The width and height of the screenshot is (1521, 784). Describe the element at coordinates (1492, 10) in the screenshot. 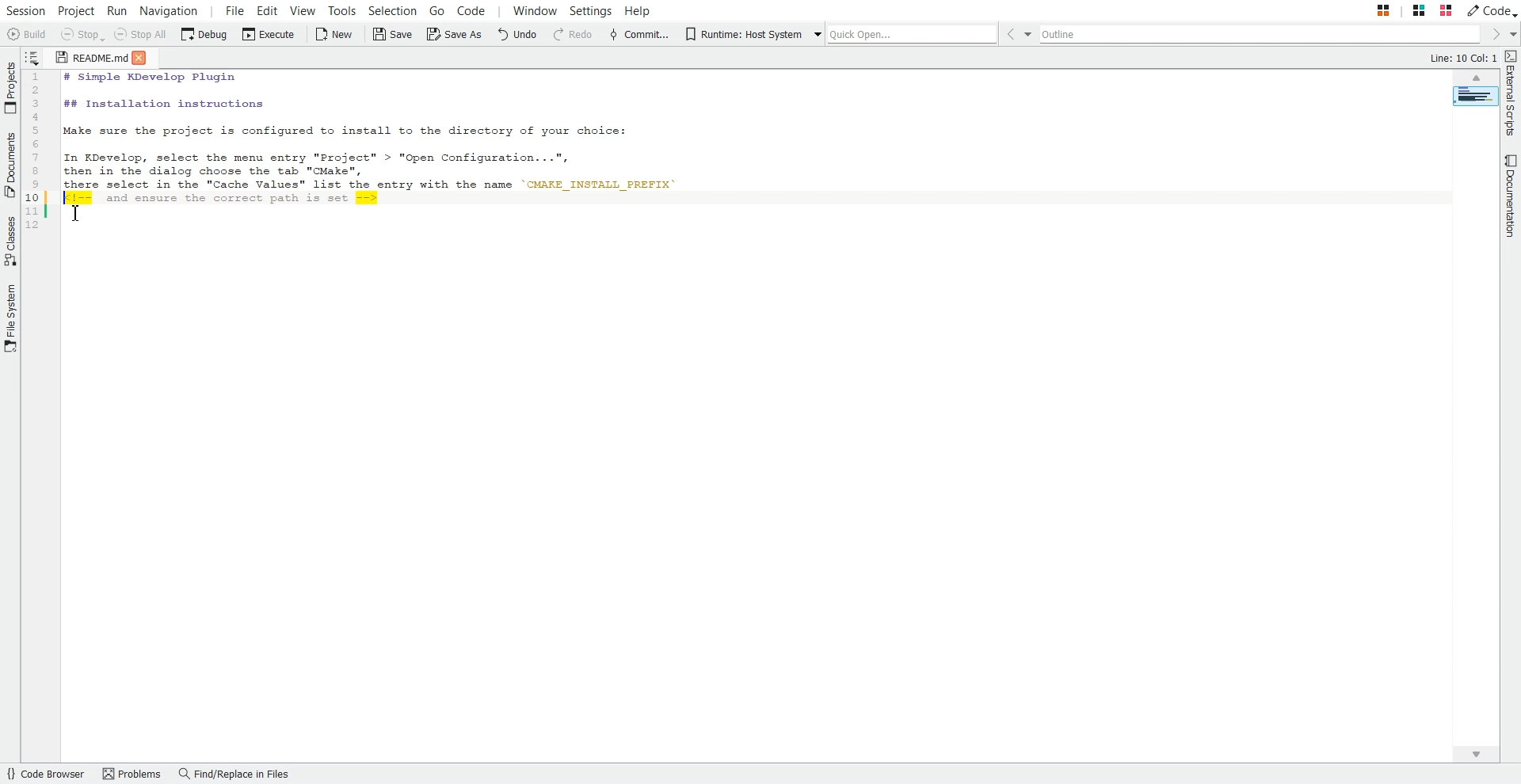

I see `Code` at that location.